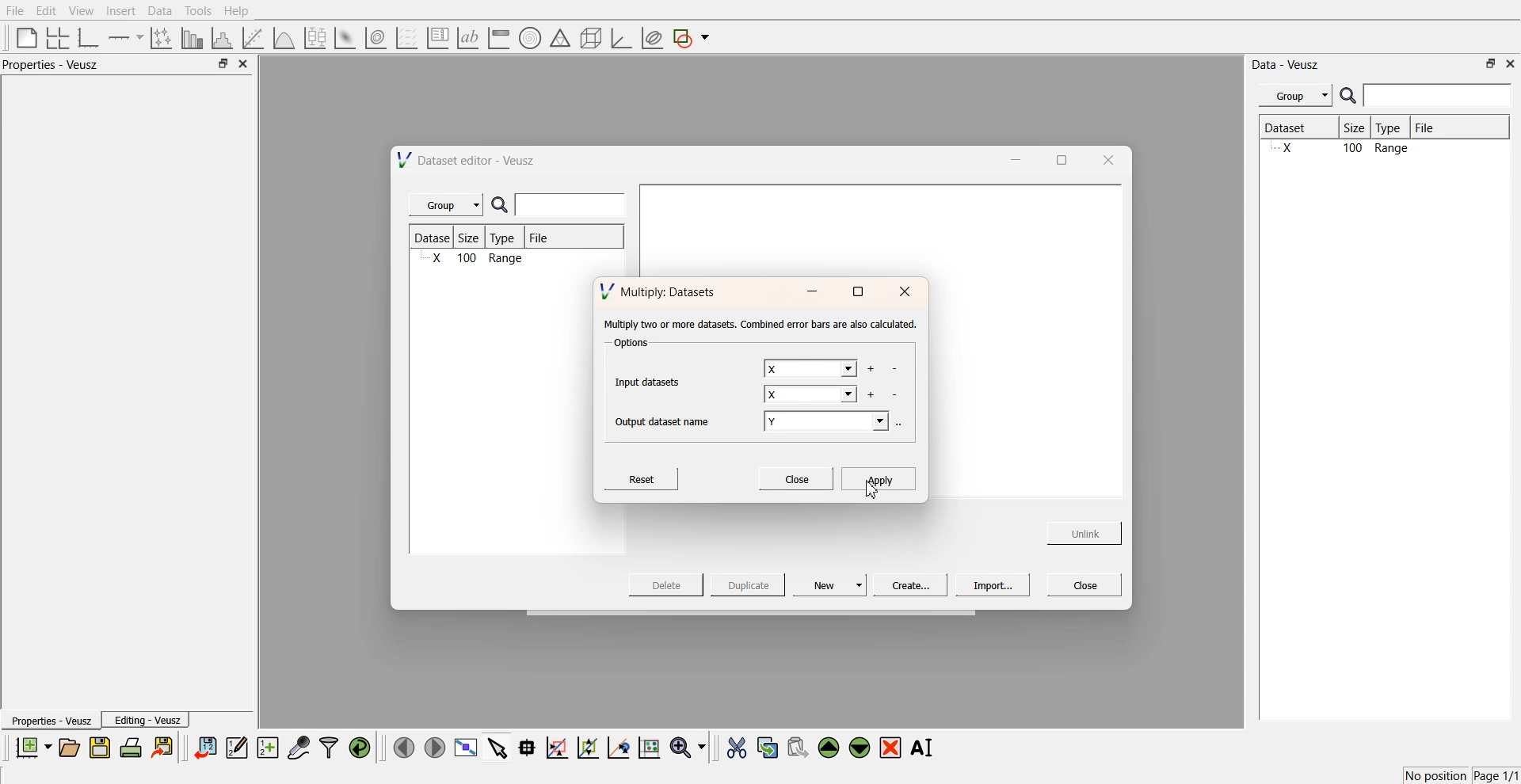 The width and height of the screenshot is (1521, 784). Describe the element at coordinates (993, 585) in the screenshot. I see `Import...` at that location.